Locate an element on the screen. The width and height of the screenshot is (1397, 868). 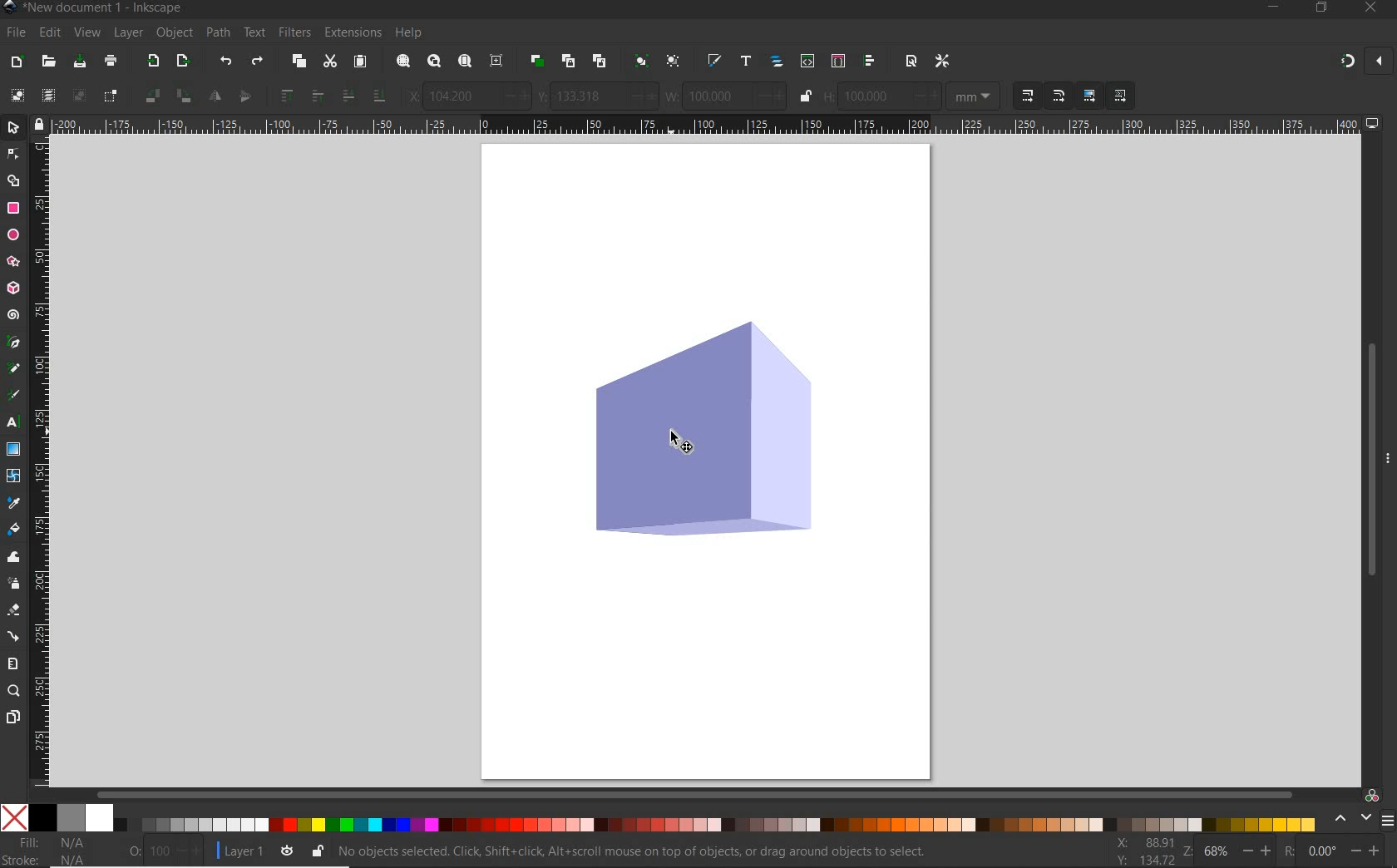
SELECTED OBJECT is located at coordinates (725, 428).